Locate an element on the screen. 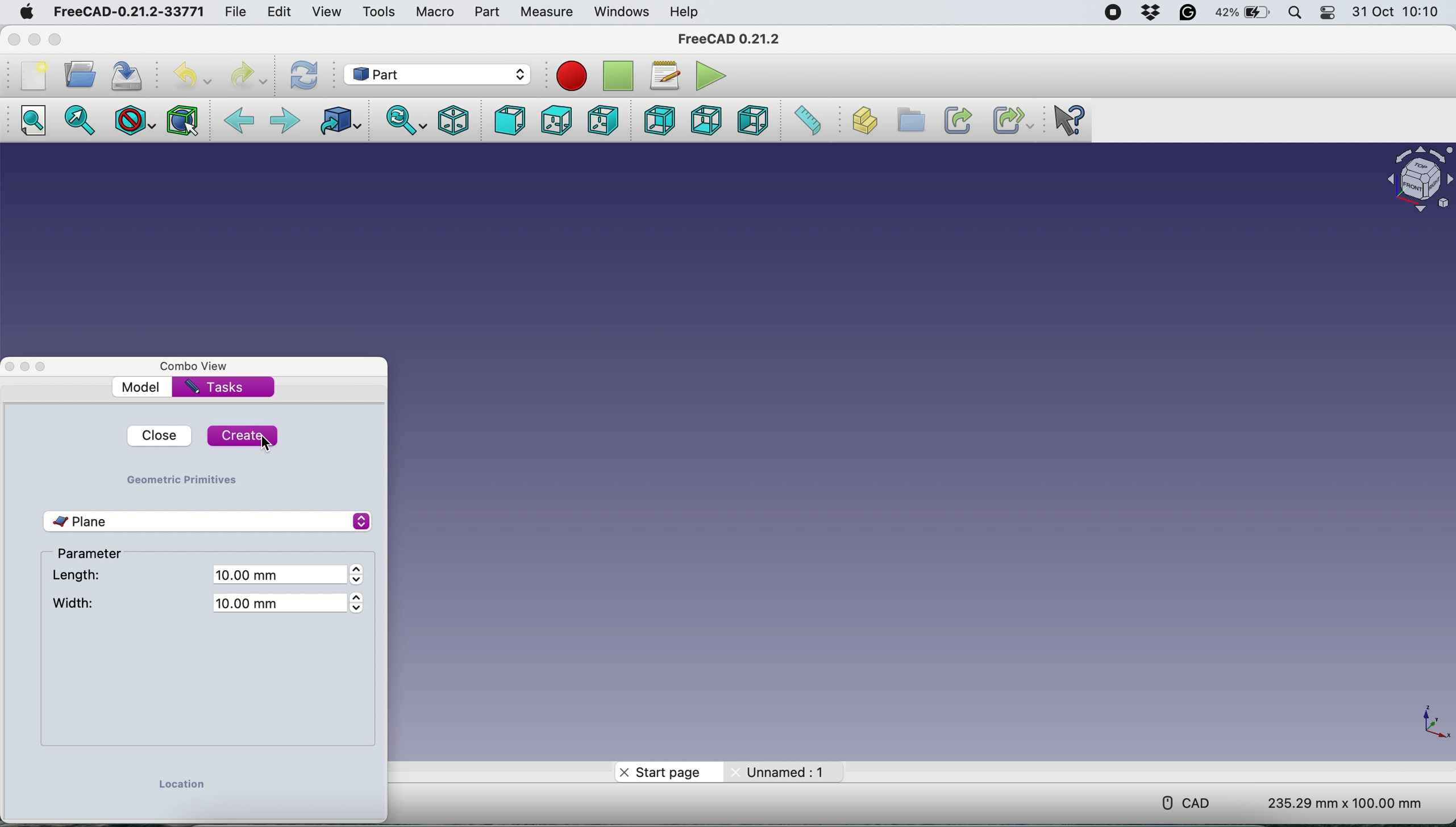 The width and height of the screenshot is (1456, 827). 10.00 mm is located at coordinates (284, 575).